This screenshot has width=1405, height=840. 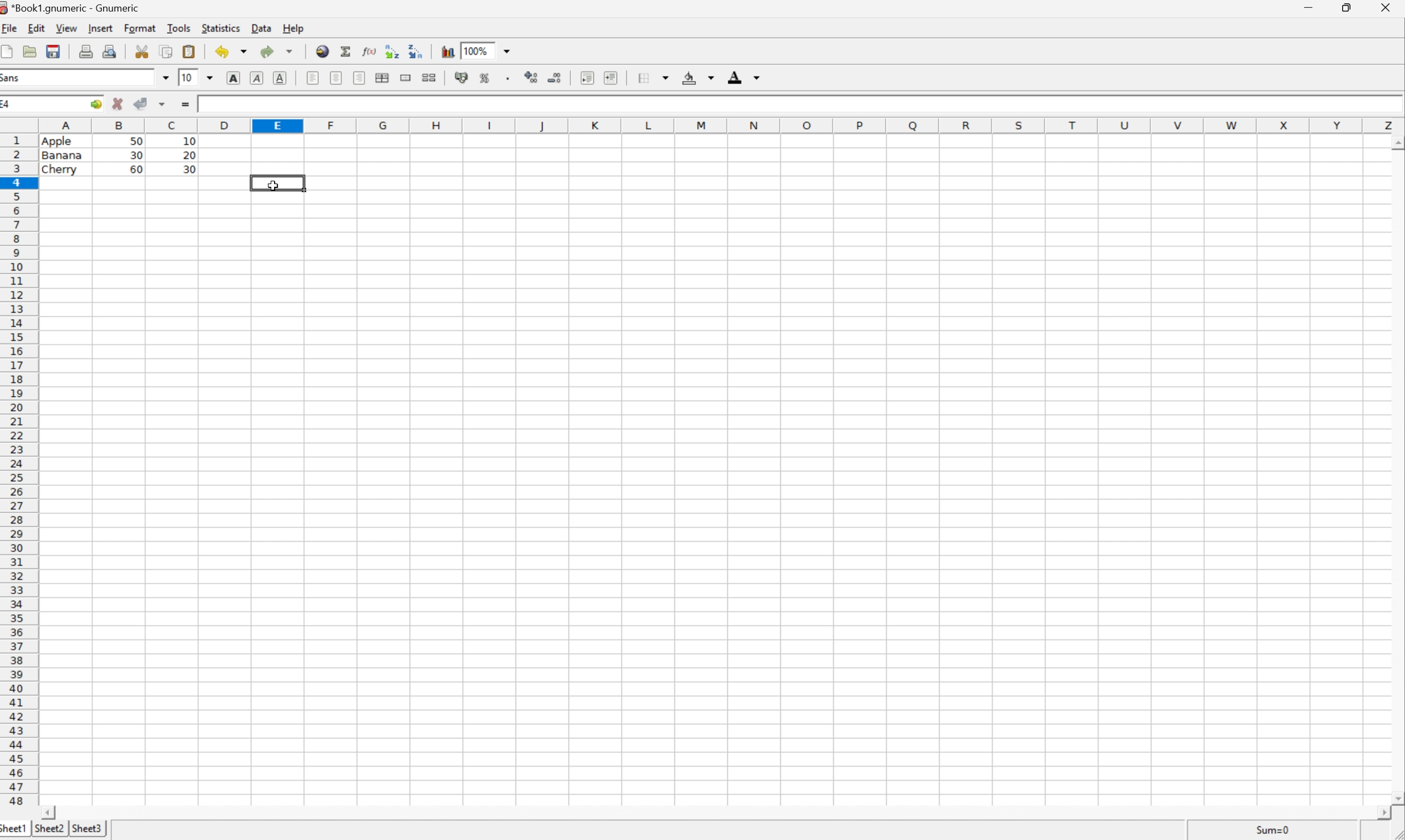 I want to click on Sort the selected region in ascending order based on the first column selected, so click(x=392, y=52).